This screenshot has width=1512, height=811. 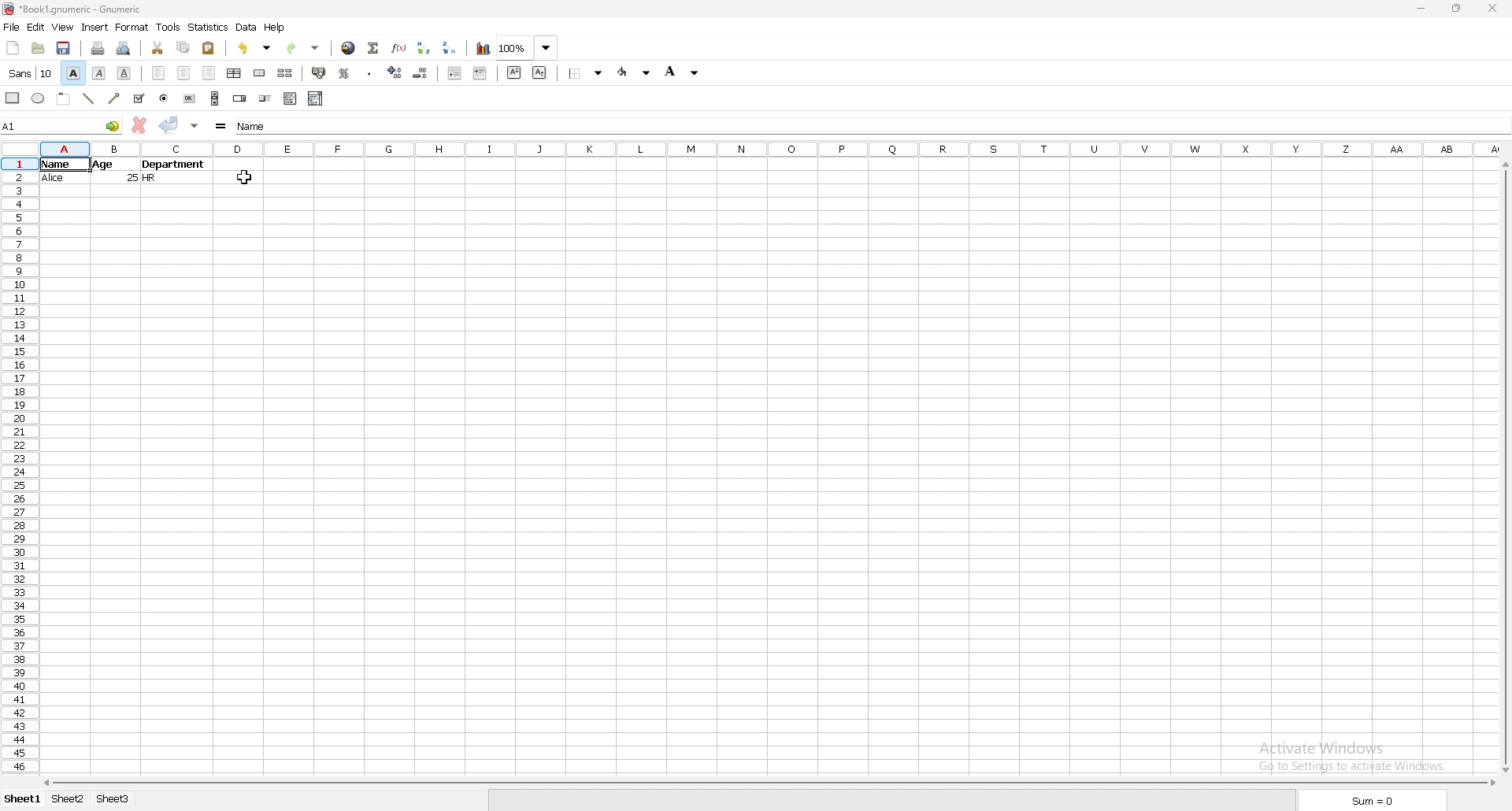 I want to click on save, so click(x=62, y=49).